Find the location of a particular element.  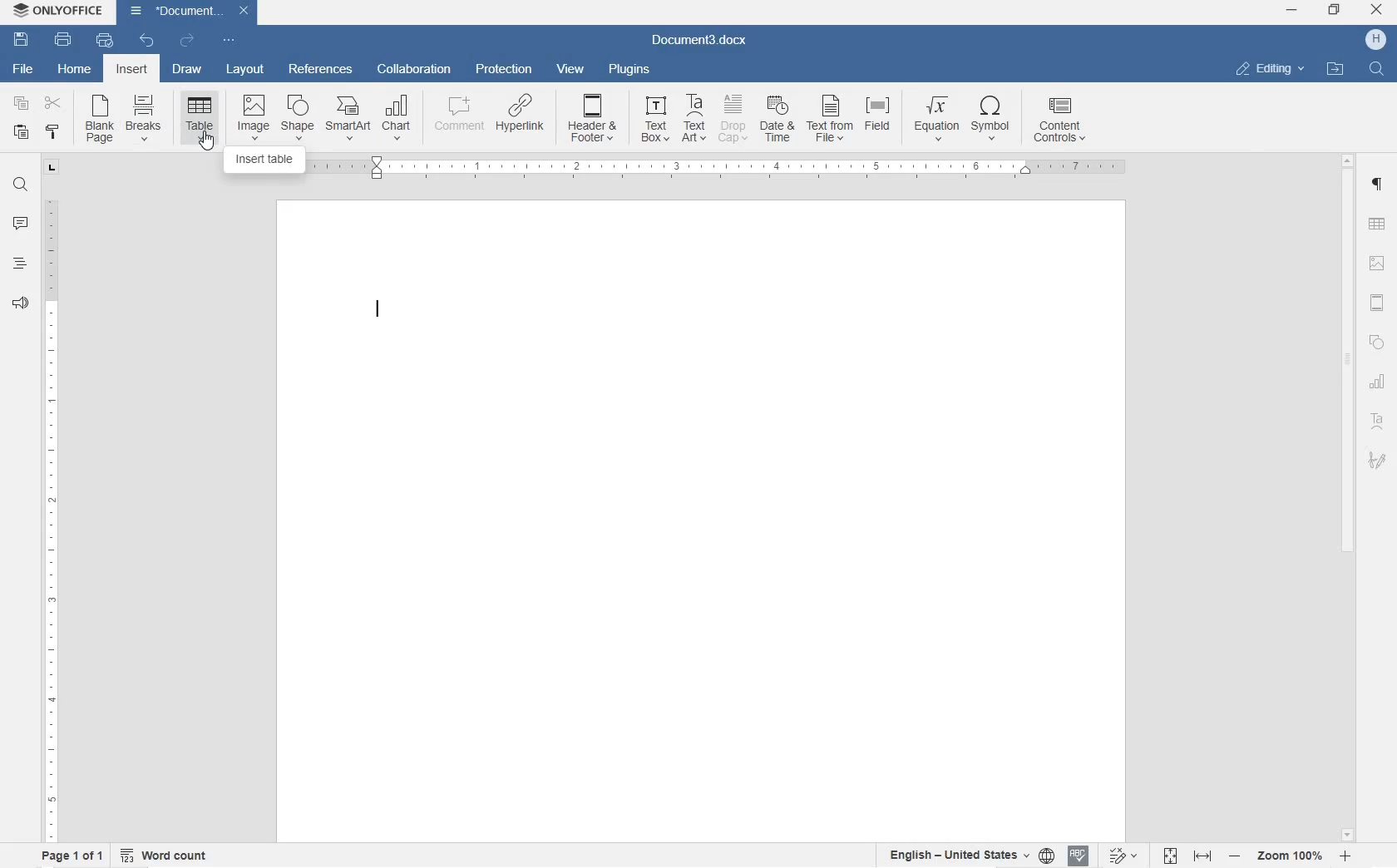

insert table is located at coordinates (266, 158).